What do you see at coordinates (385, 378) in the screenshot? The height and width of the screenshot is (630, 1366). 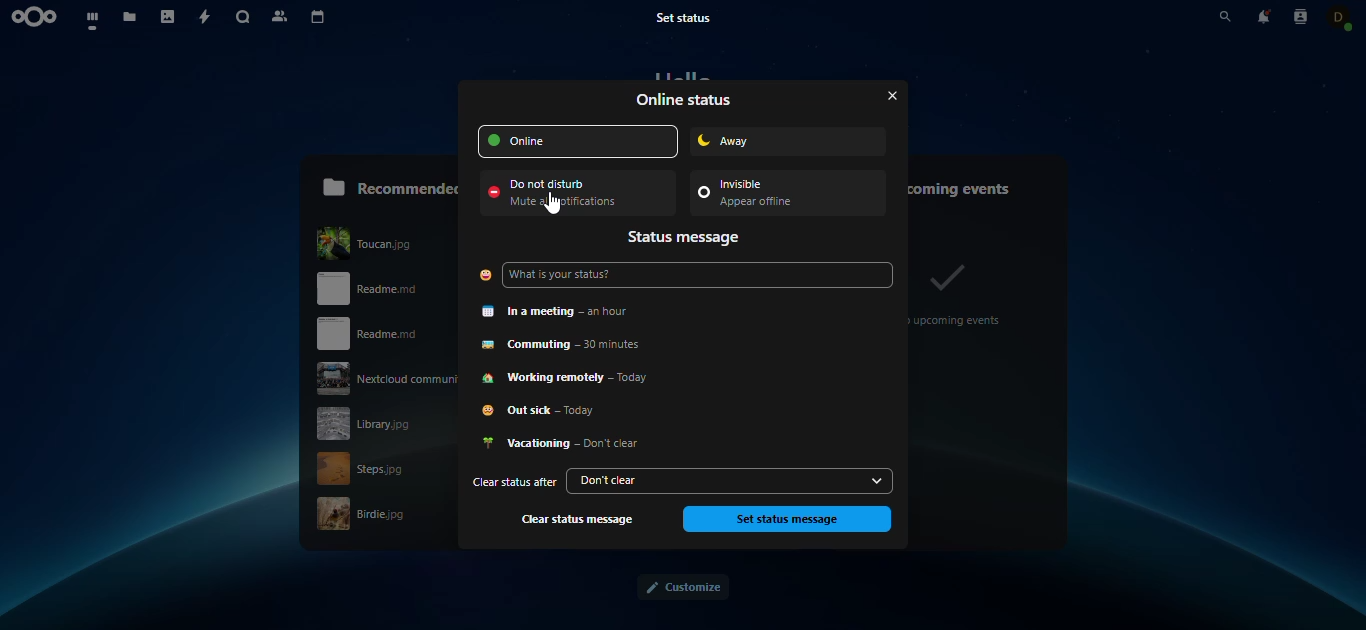 I see `nextcloud community` at bounding box center [385, 378].